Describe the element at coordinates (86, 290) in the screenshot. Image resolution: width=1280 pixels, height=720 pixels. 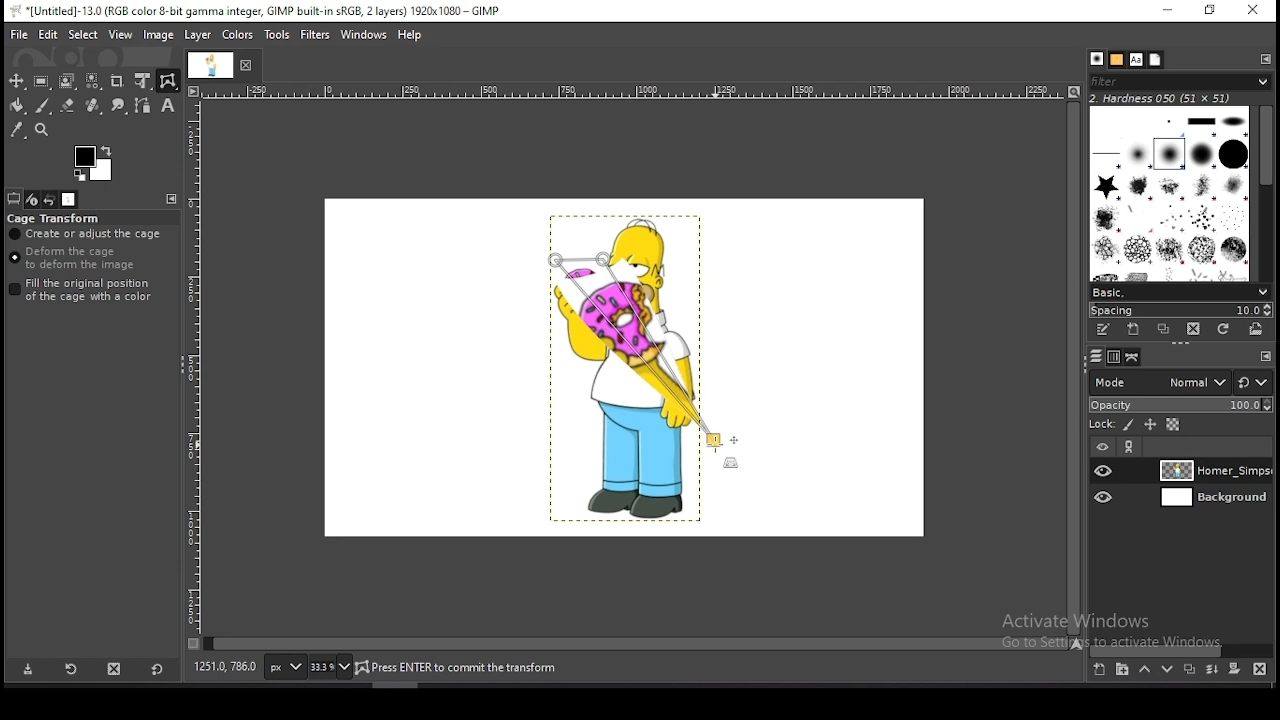
I see `fill the original position of the cage with a color` at that location.